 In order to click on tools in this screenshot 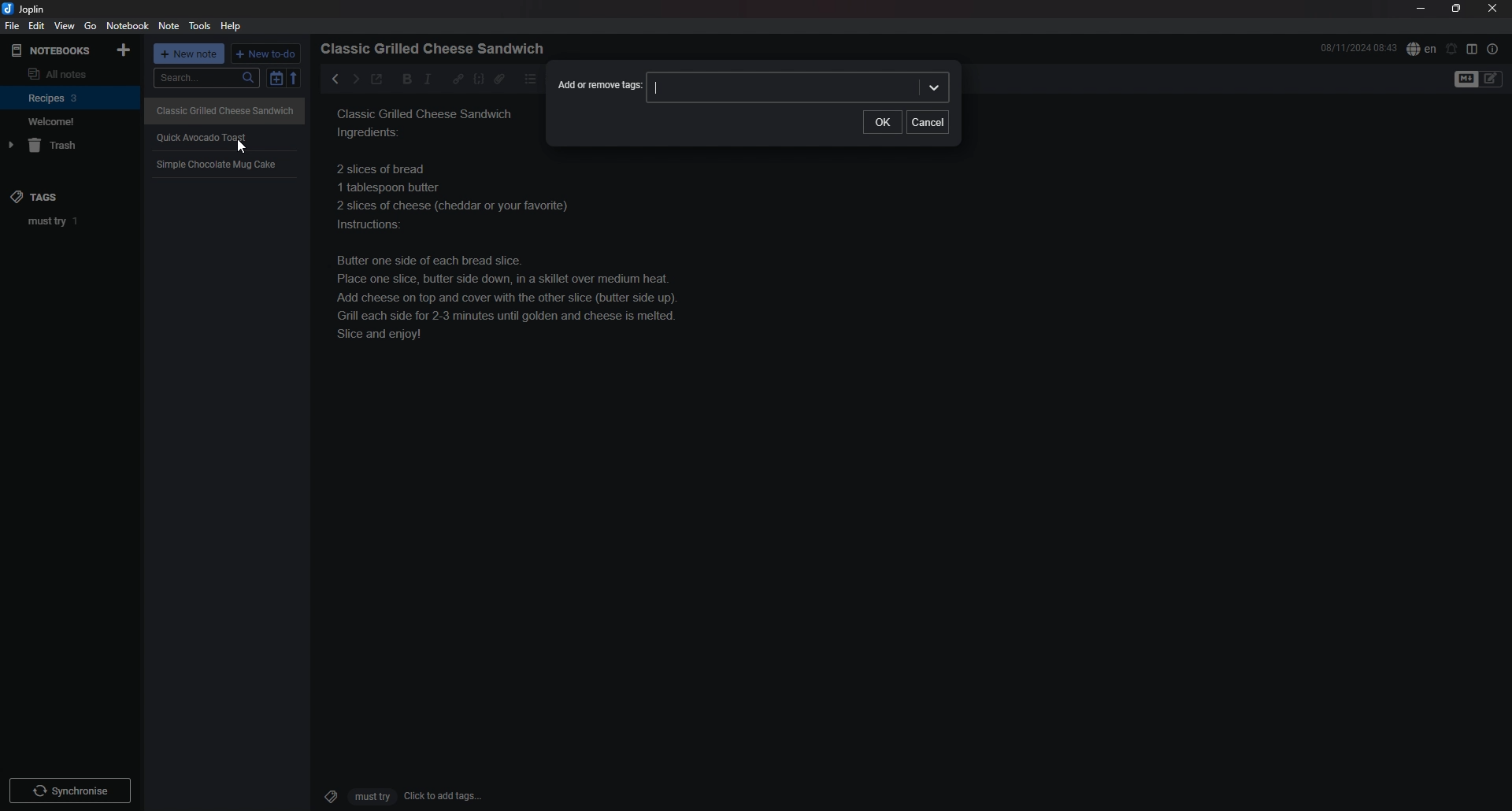, I will do `click(202, 26)`.